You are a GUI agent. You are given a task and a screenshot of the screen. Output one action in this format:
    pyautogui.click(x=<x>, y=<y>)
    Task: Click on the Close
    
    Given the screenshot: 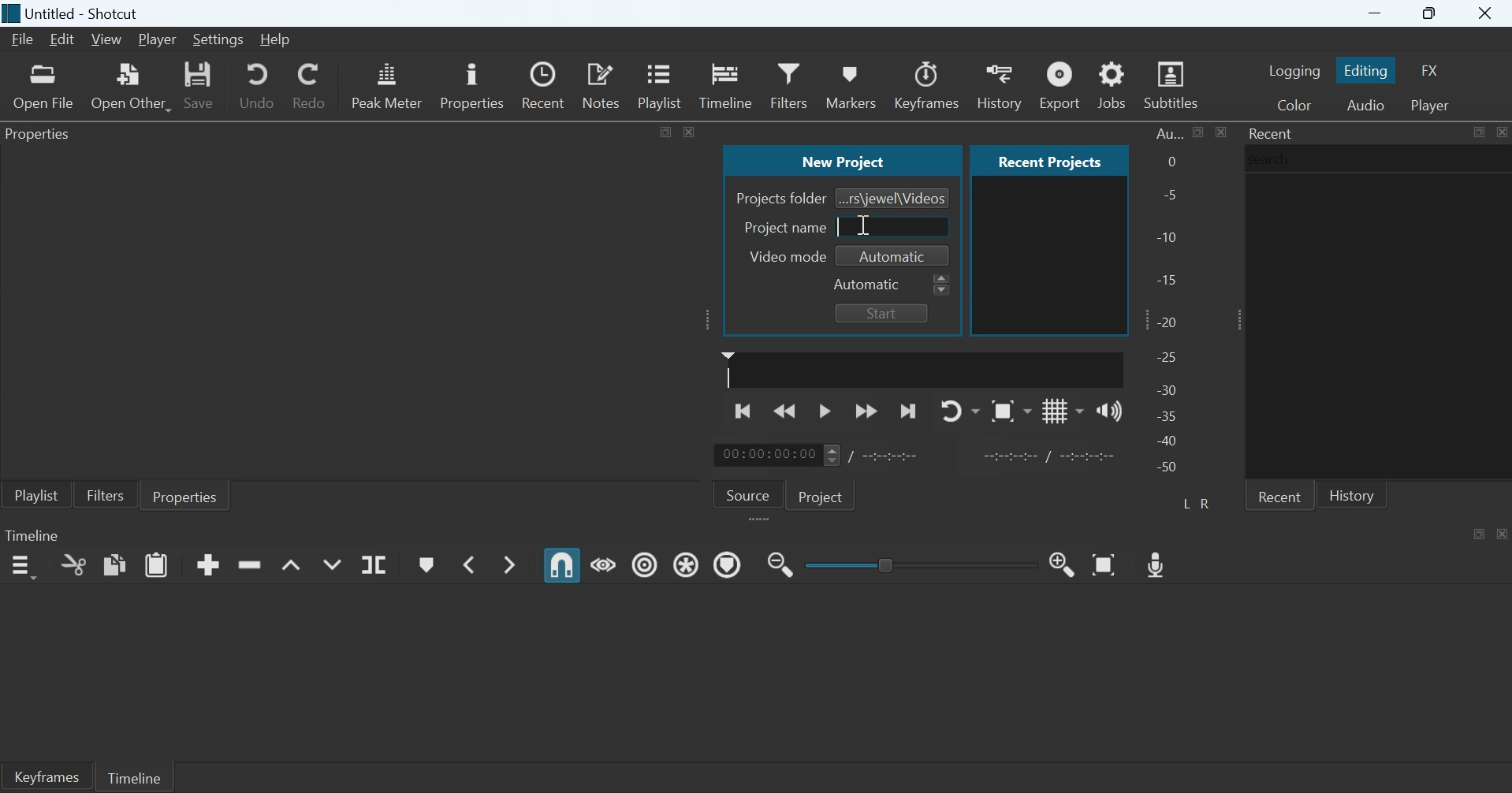 What is the action you would take?
    pyautogui.click(x=1487, y=14)
    